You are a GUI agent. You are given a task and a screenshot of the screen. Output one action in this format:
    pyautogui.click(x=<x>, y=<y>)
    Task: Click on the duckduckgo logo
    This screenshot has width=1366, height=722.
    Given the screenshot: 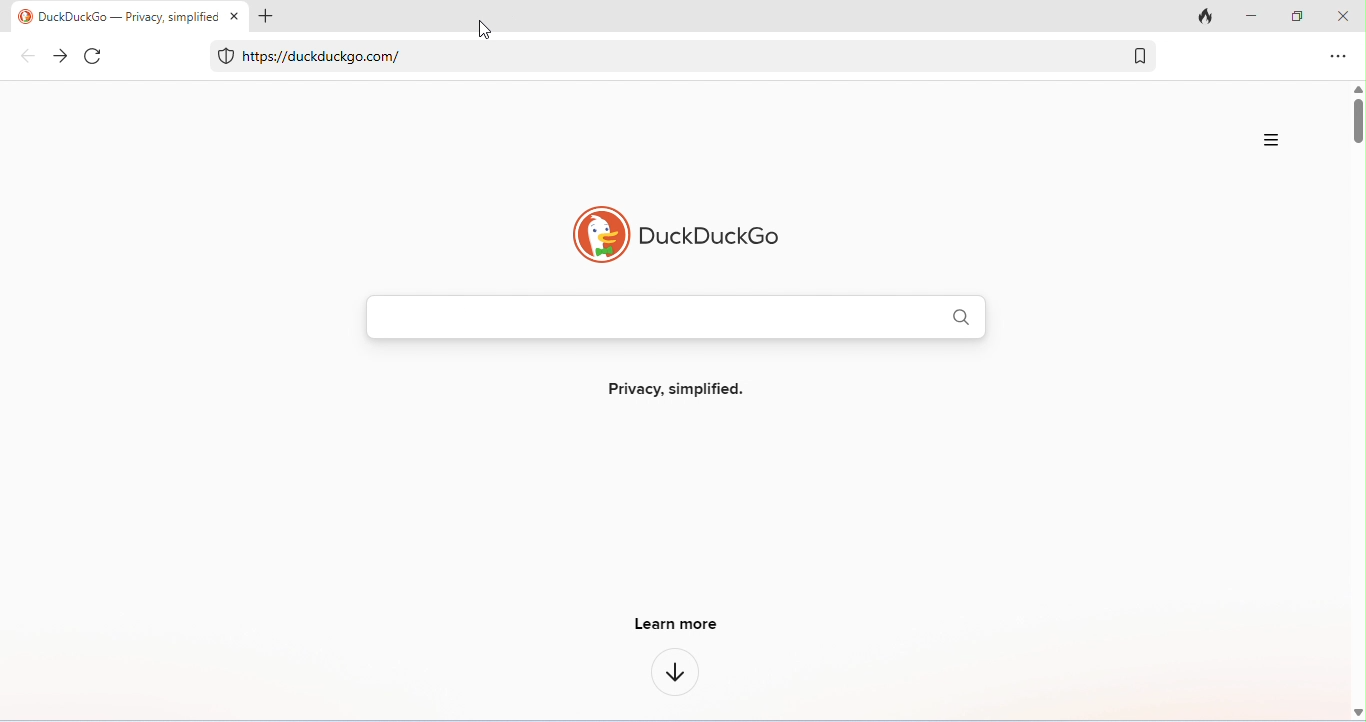 What is the action you would take?
    pyautogui.click(x=671, y=233)
    